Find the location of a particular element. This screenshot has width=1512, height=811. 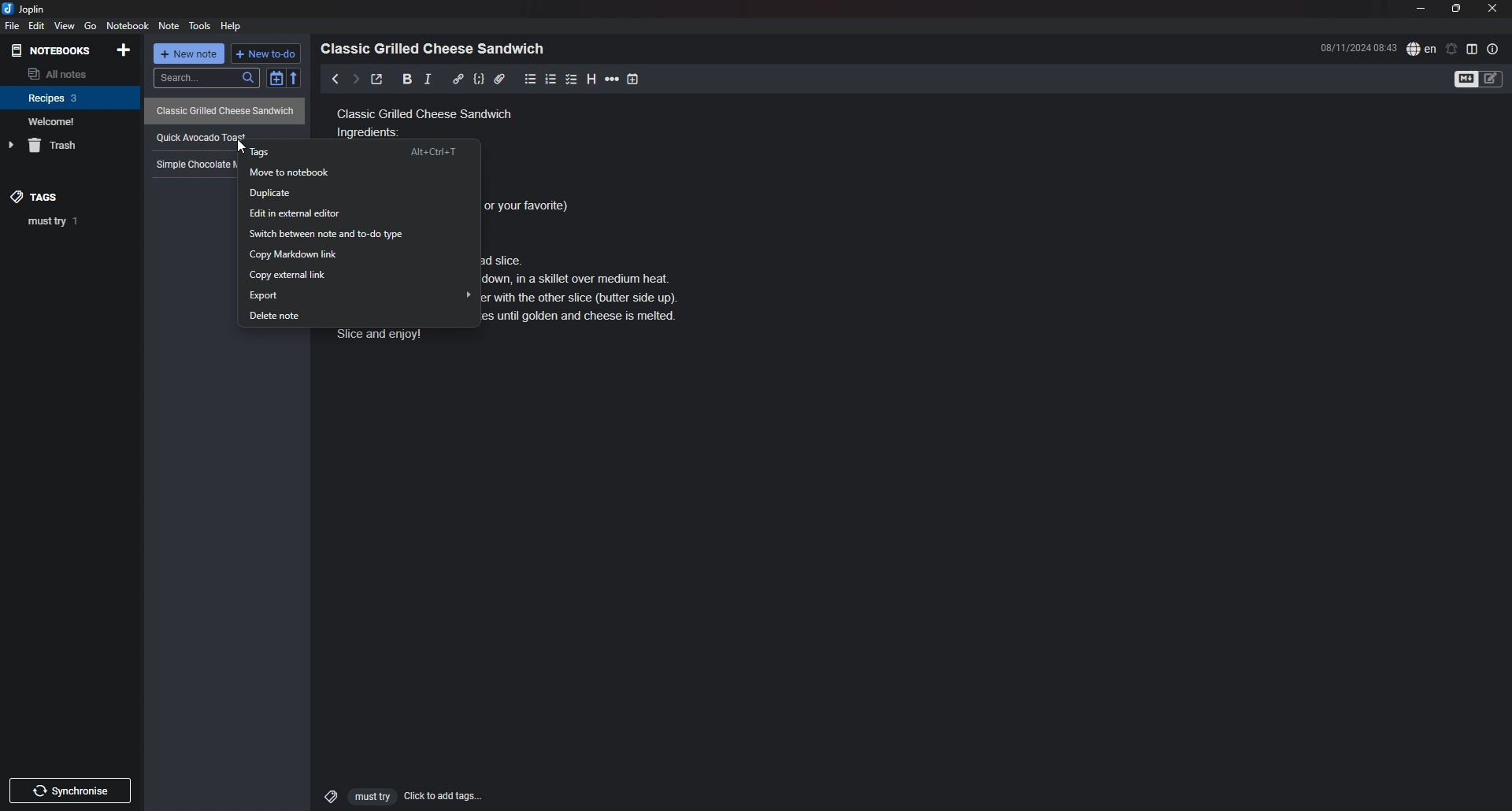

number list is located at coordinates (551, 79).